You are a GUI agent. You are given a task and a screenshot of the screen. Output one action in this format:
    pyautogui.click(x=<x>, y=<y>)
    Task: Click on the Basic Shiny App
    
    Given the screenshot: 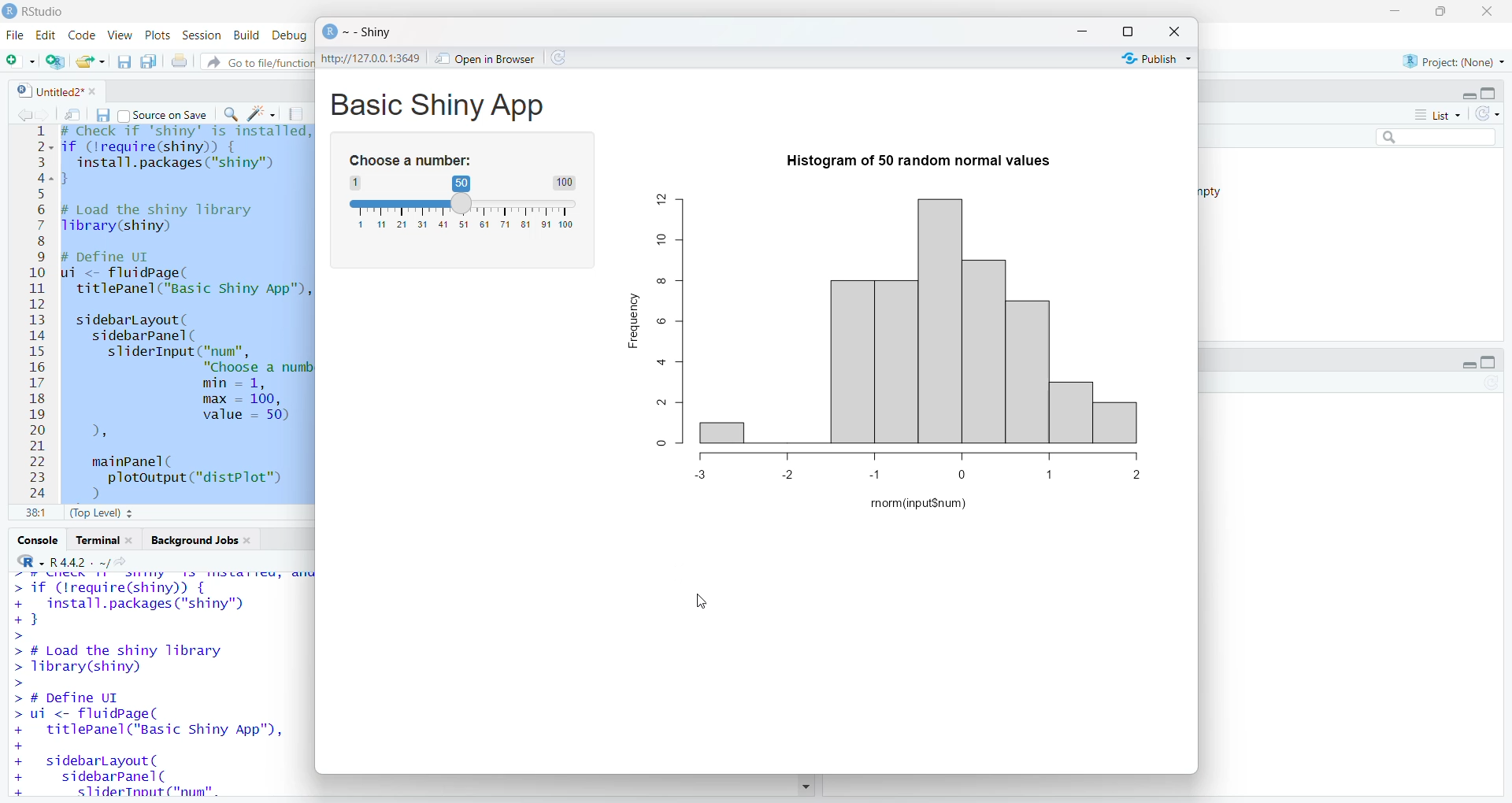 What is the action you would take?
    pyautogui.click(x=436, y=105)
    